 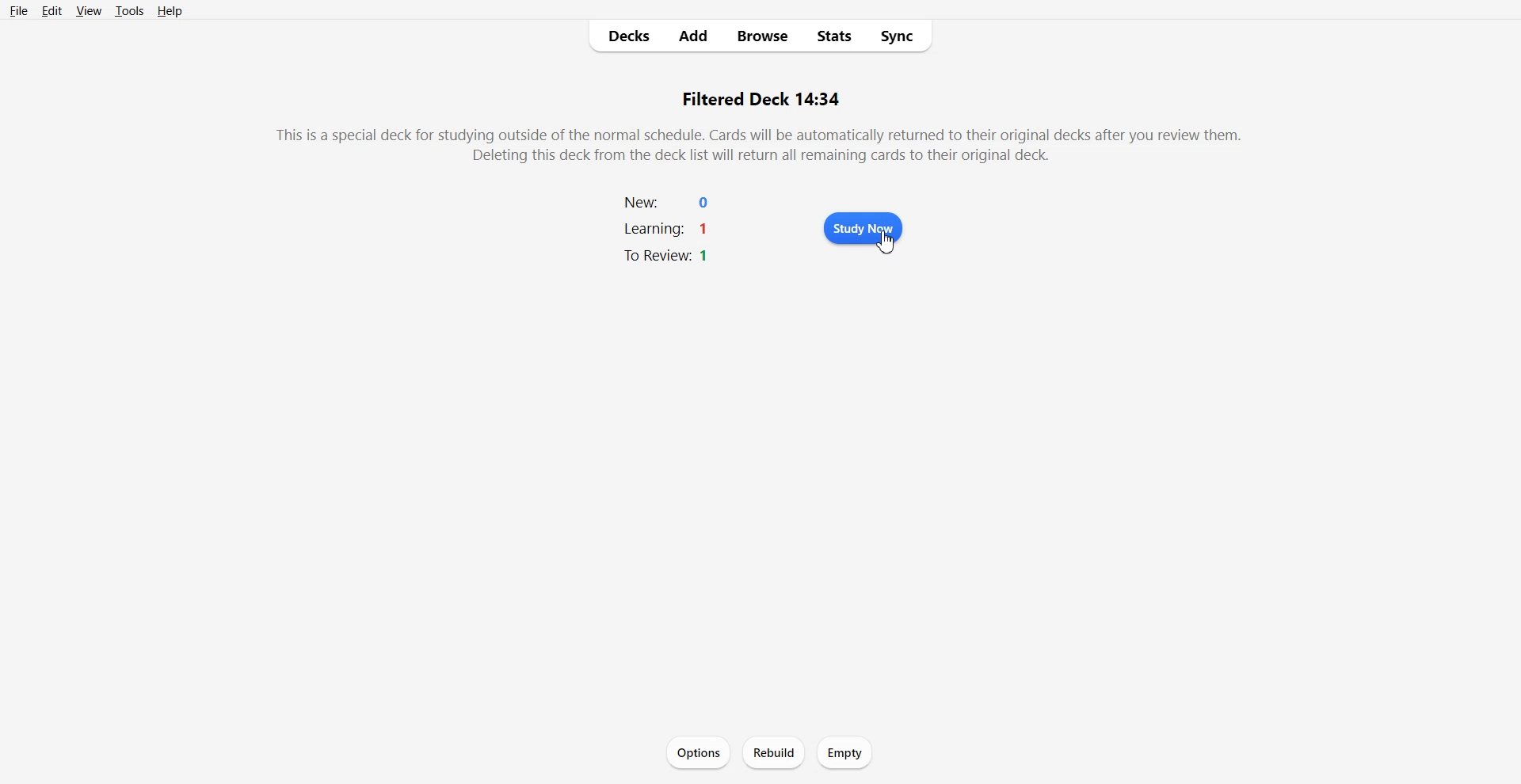 I want to click on File, so click(x=19, y=11).